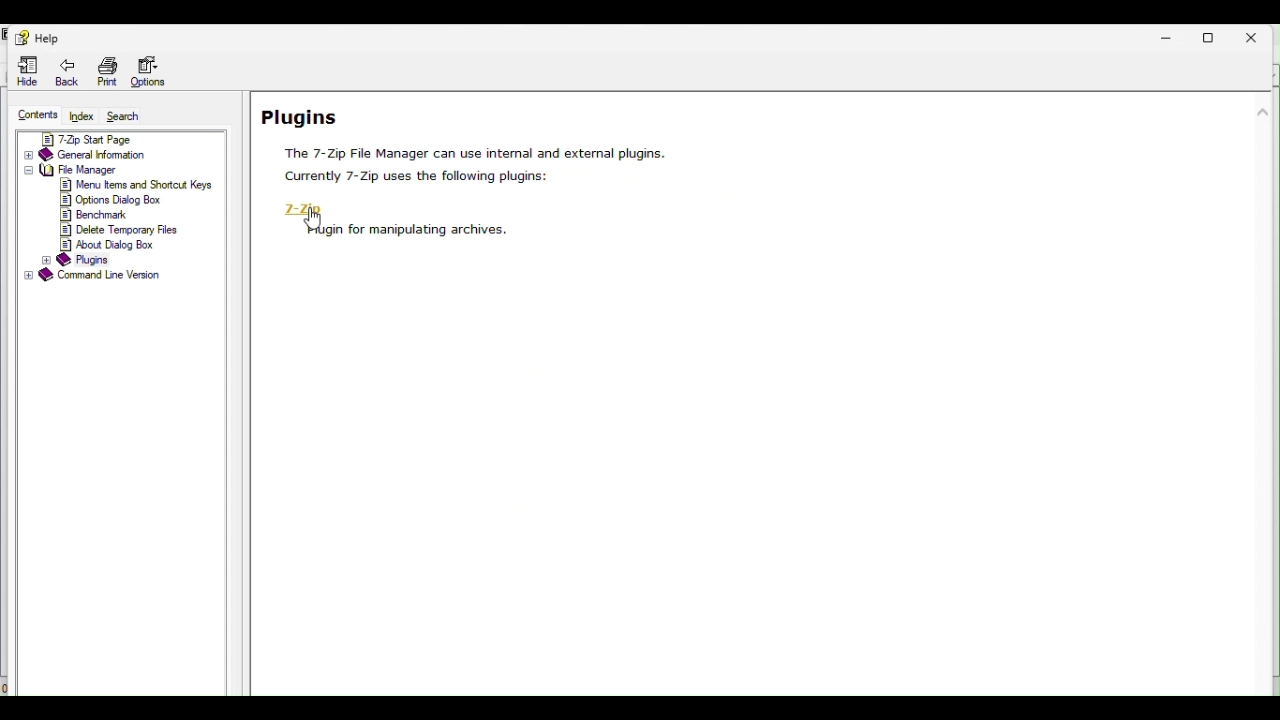 Image resolution: width=1280 pixels, height=720 pixels. I want to click on Hide, so click(23, 73).